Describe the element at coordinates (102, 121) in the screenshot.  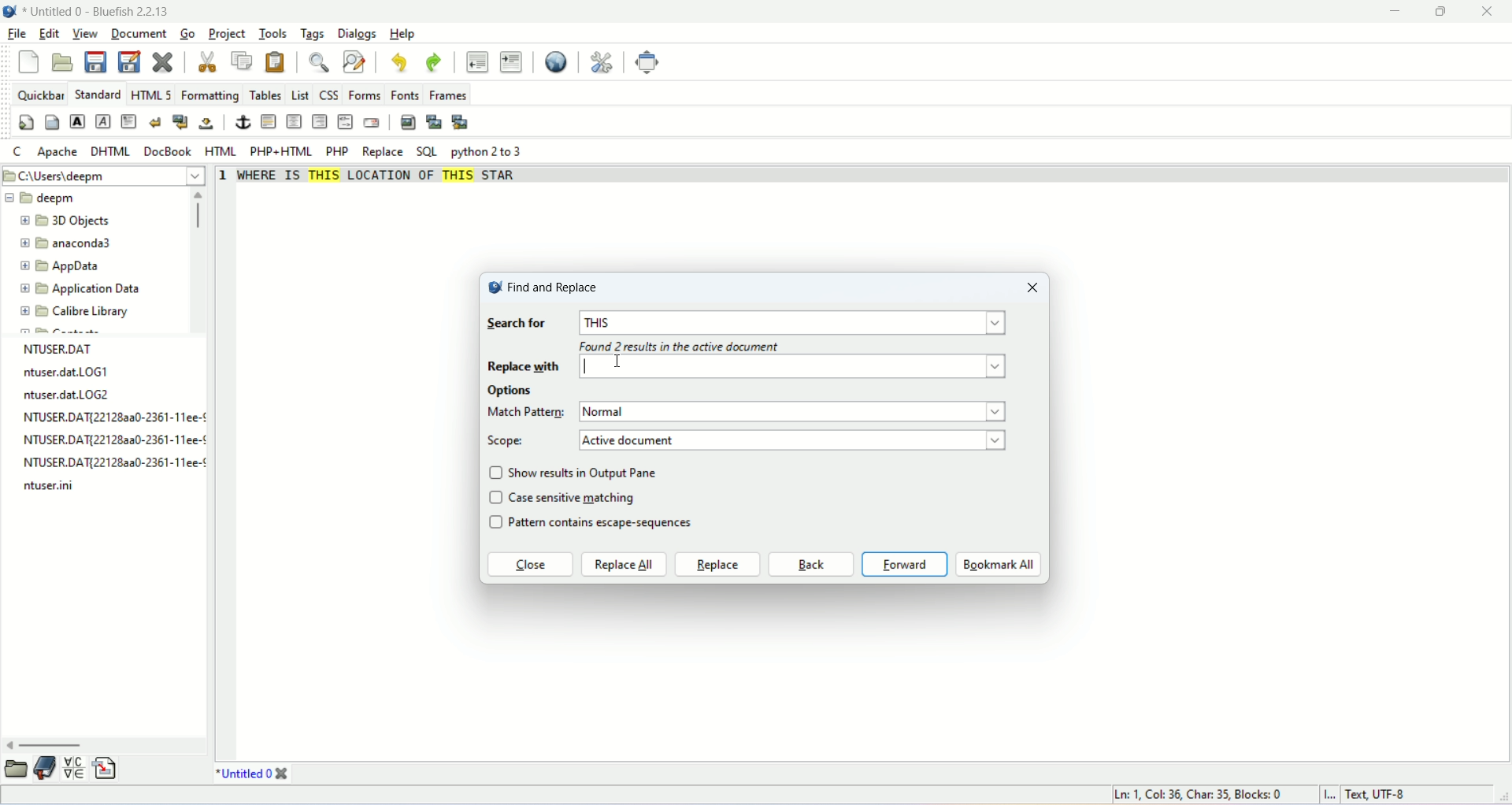
I see `emphasis` at that location.